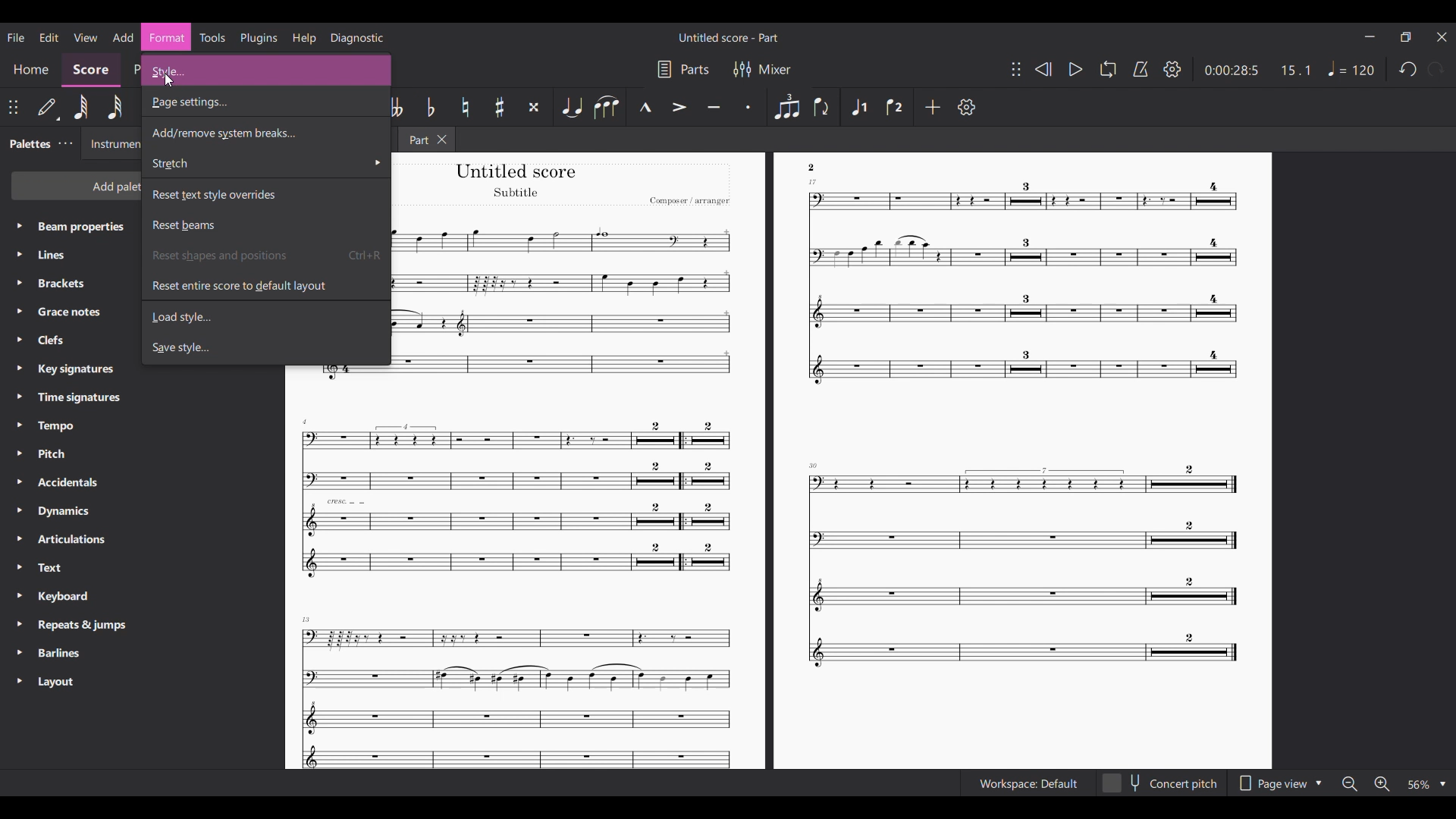  What do you see at coordinates (75, 187) in the screenshot?
I see `Add palette` at bounding box center [75, 187].